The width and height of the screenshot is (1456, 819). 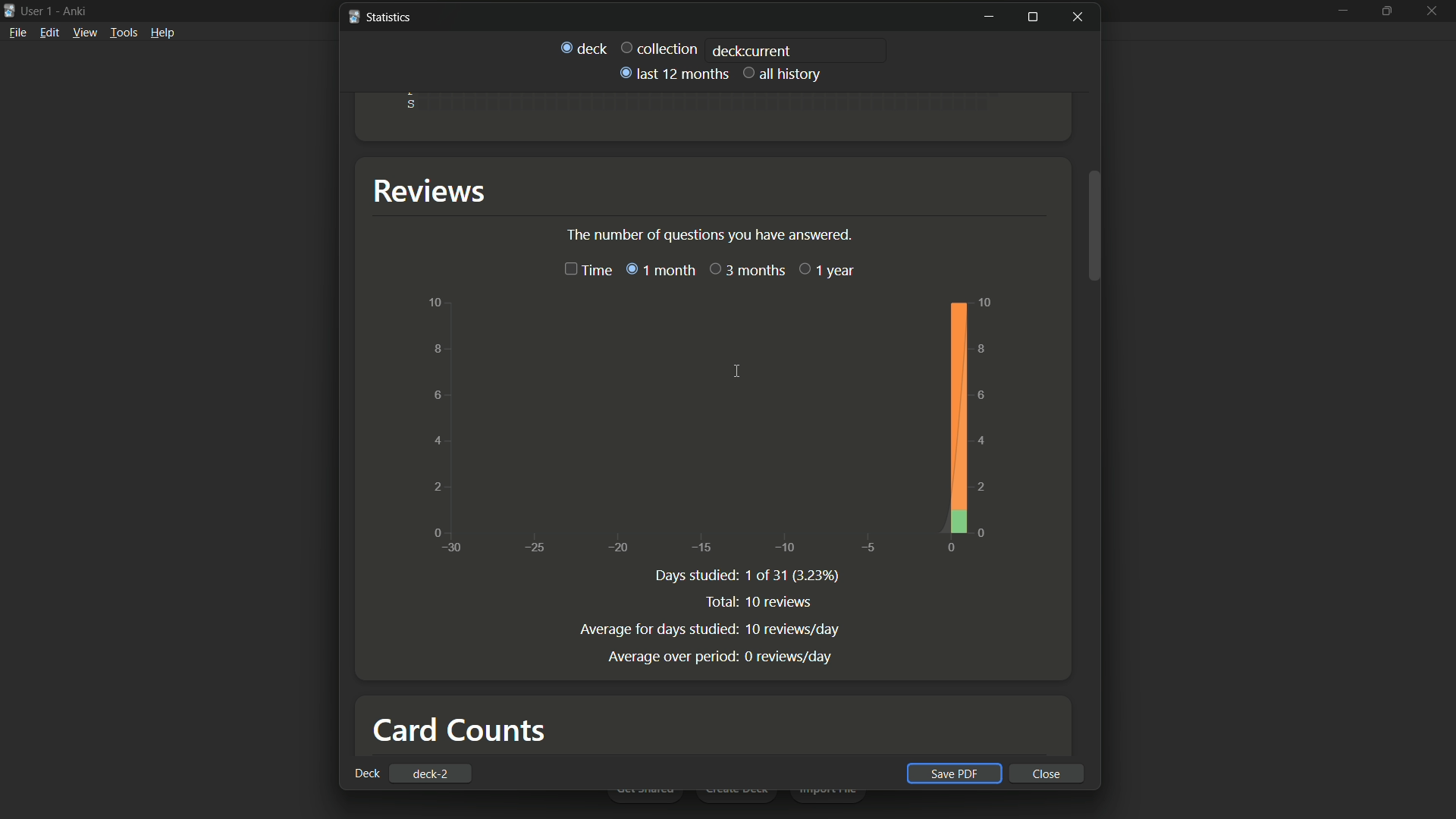 I want to click on Collection deck current, so click(x=660, y=47).